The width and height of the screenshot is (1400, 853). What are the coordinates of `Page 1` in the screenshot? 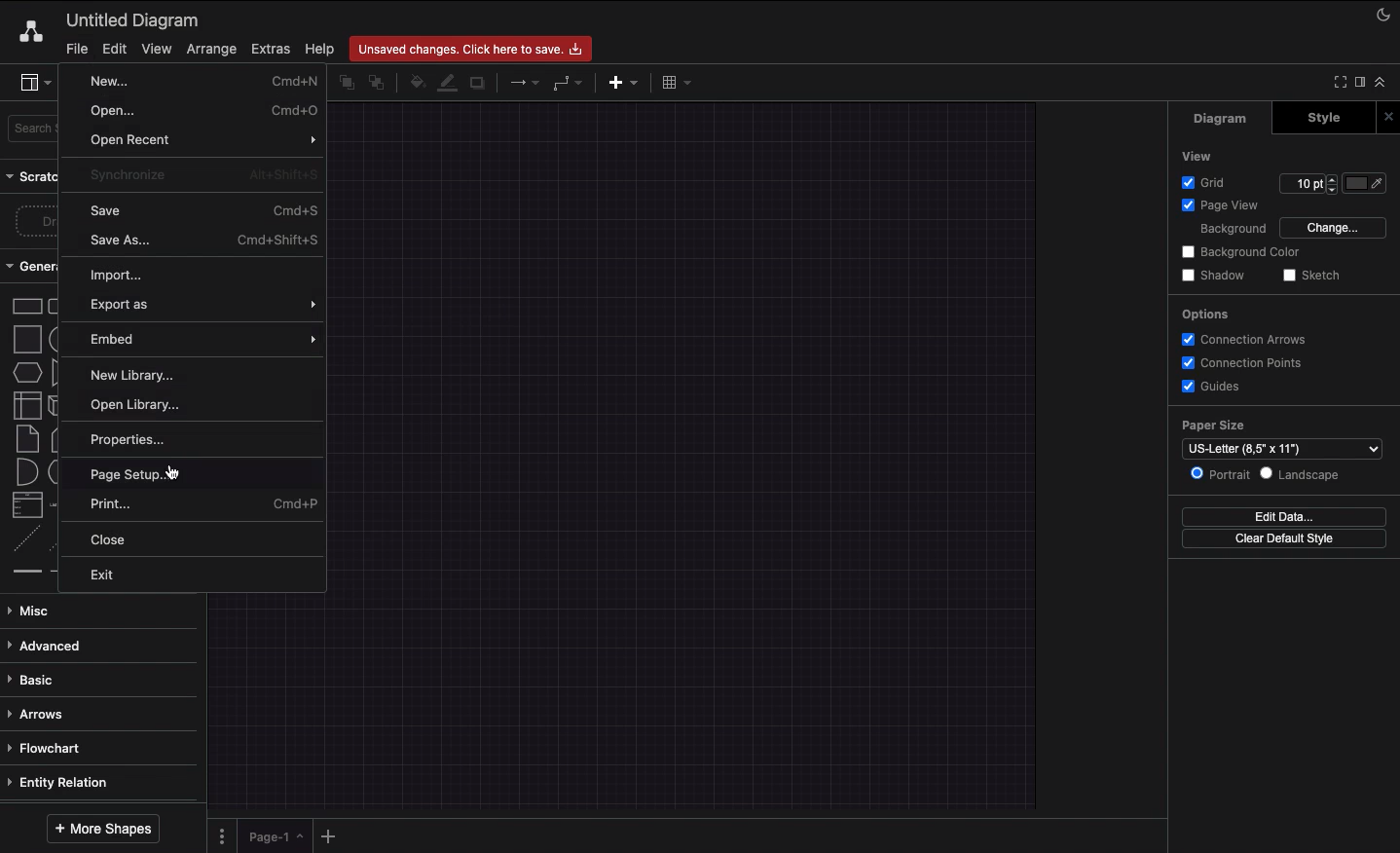 It's located at (273, 834).